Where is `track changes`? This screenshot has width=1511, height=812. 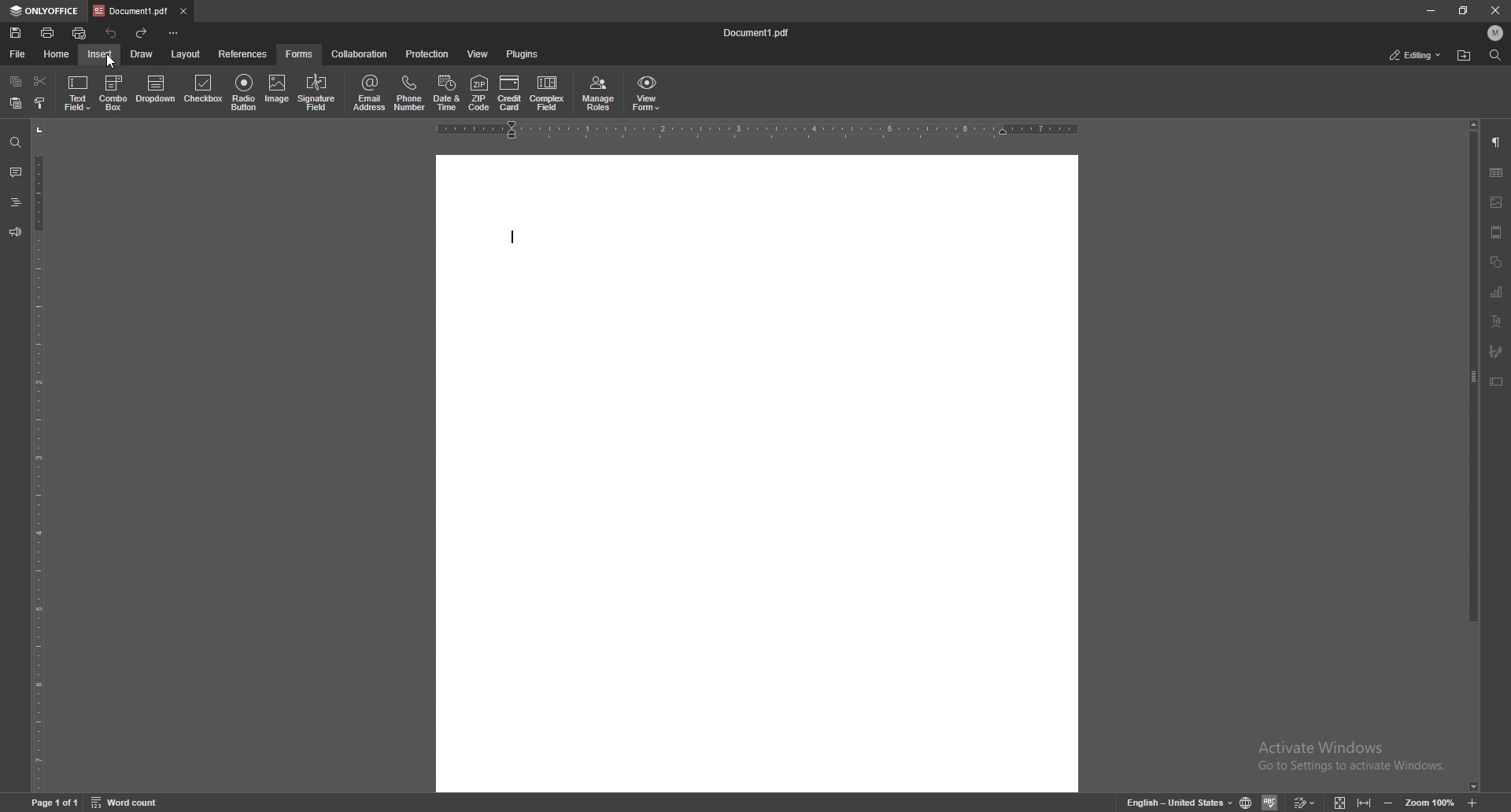 track changes is located at coordinates (1304, 803).